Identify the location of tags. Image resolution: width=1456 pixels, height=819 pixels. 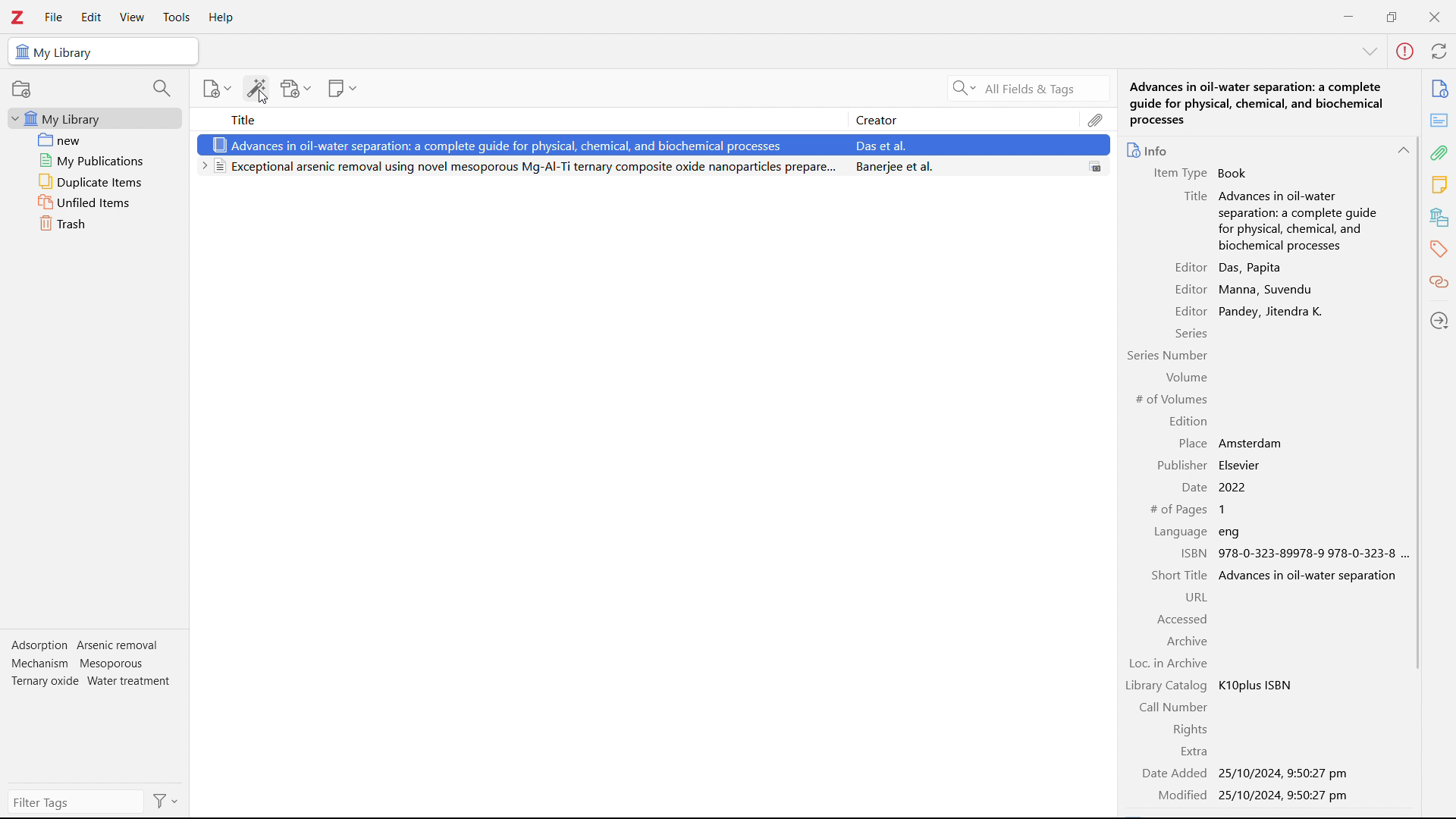
(1440, 248).